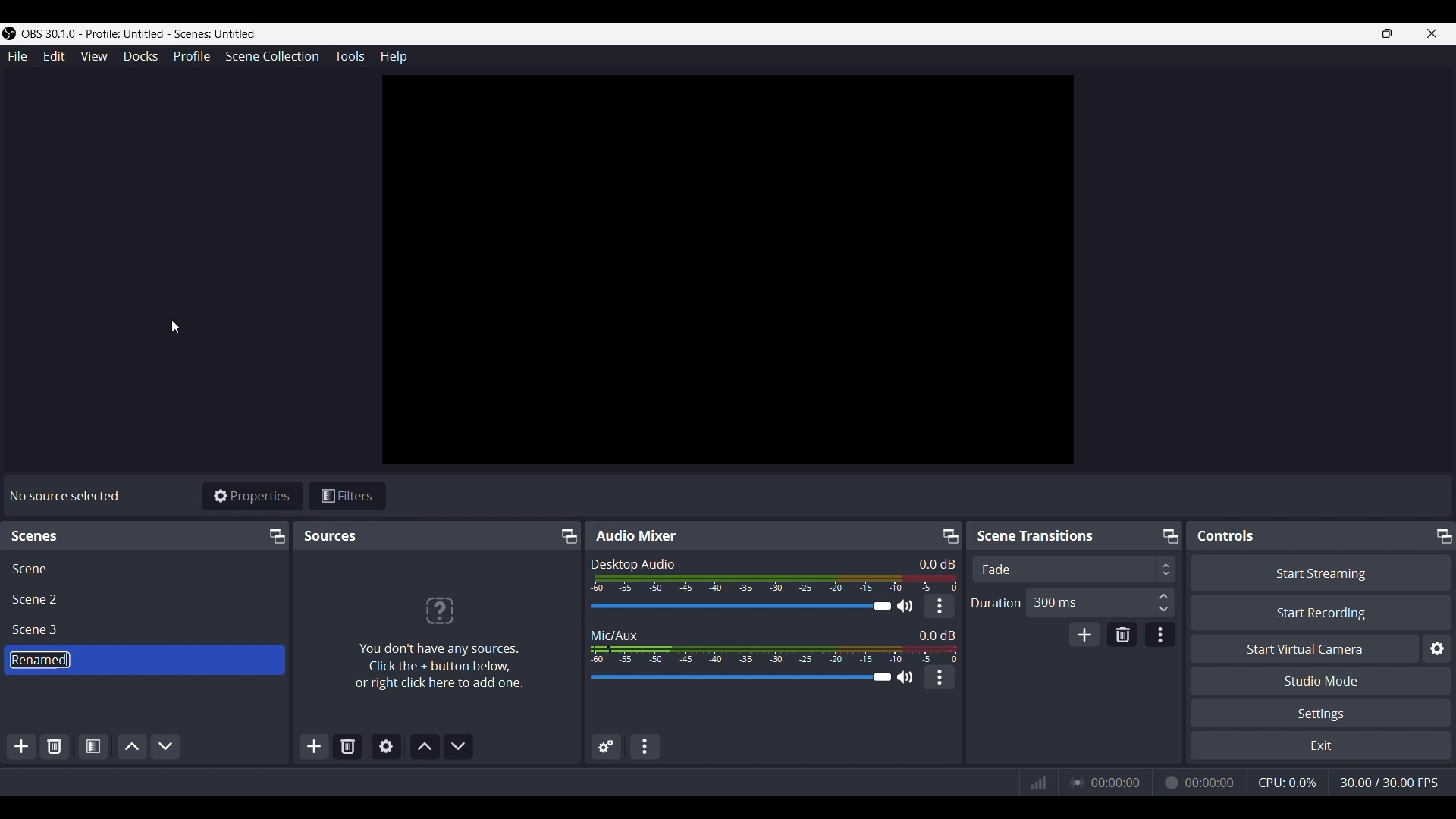 The width and height of the screenshot is (1456, 819). I want to click on cursor, so click(175, 324).